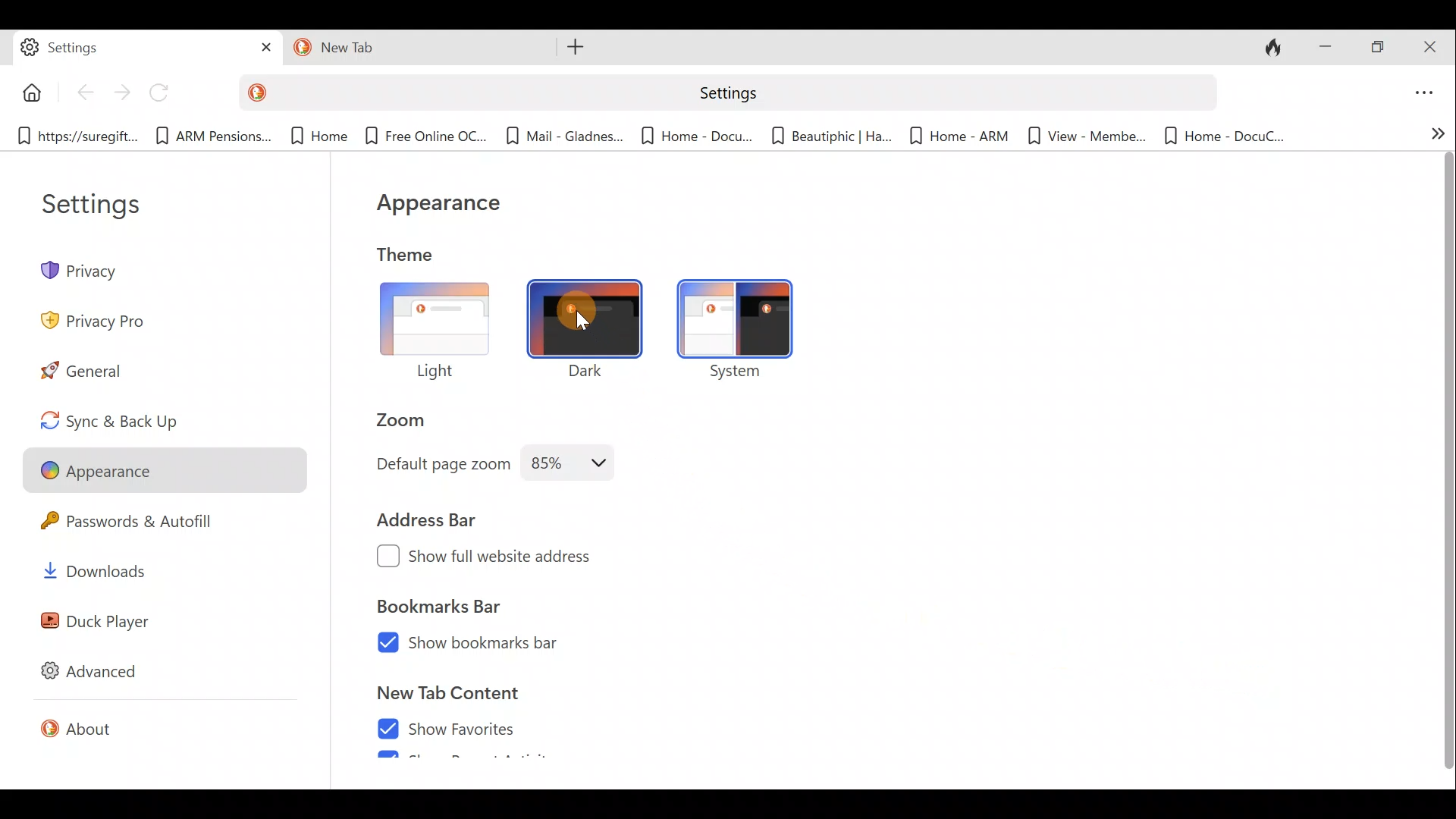 The width and height of the screenshot is (1456, 819). Describe the element at coordinates (584, 322) in the screenshot. I see `cursor` at that location.